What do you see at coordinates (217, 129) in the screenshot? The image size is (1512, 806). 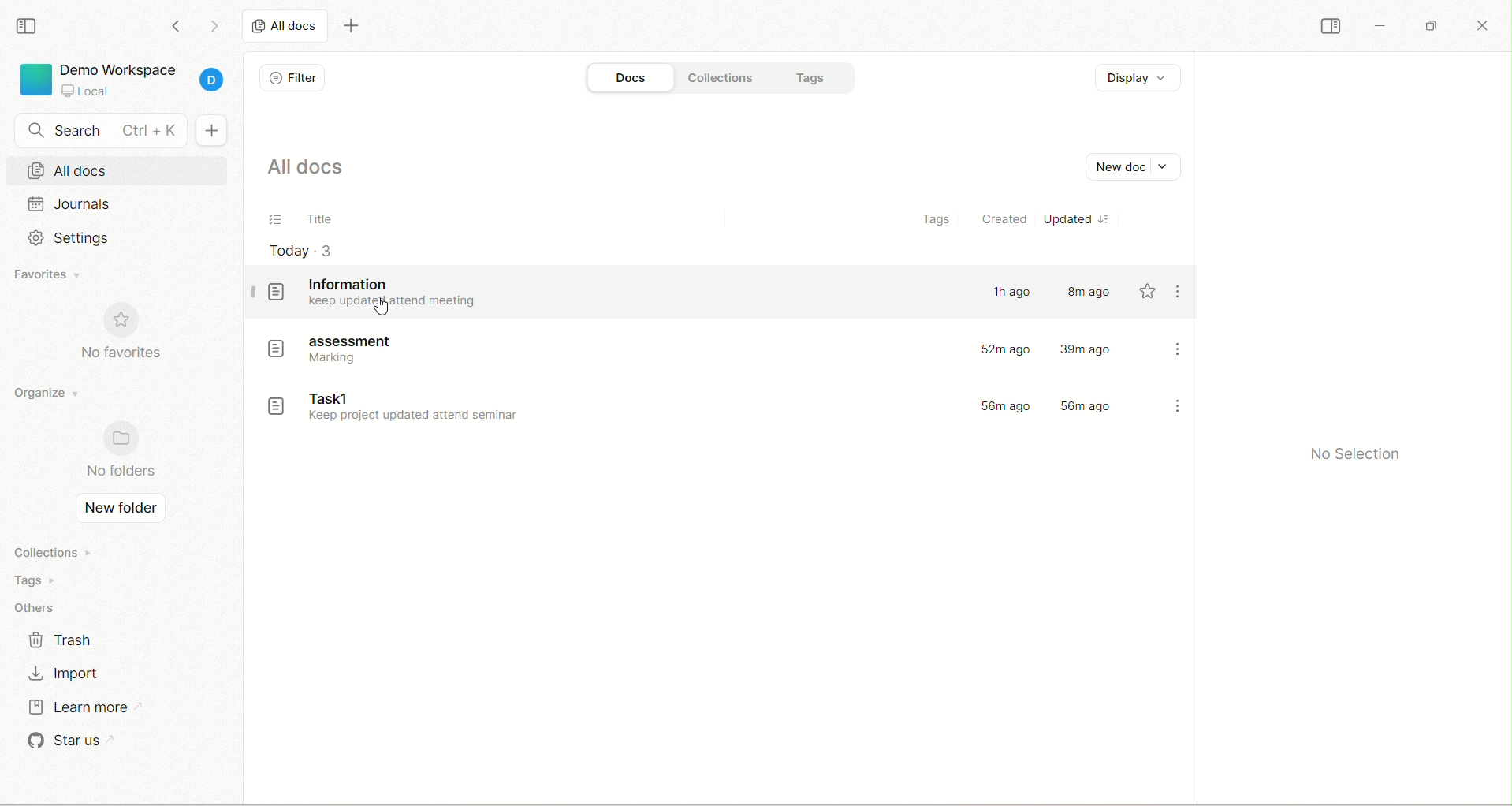 I see `+` at bounding box center [217, 129].